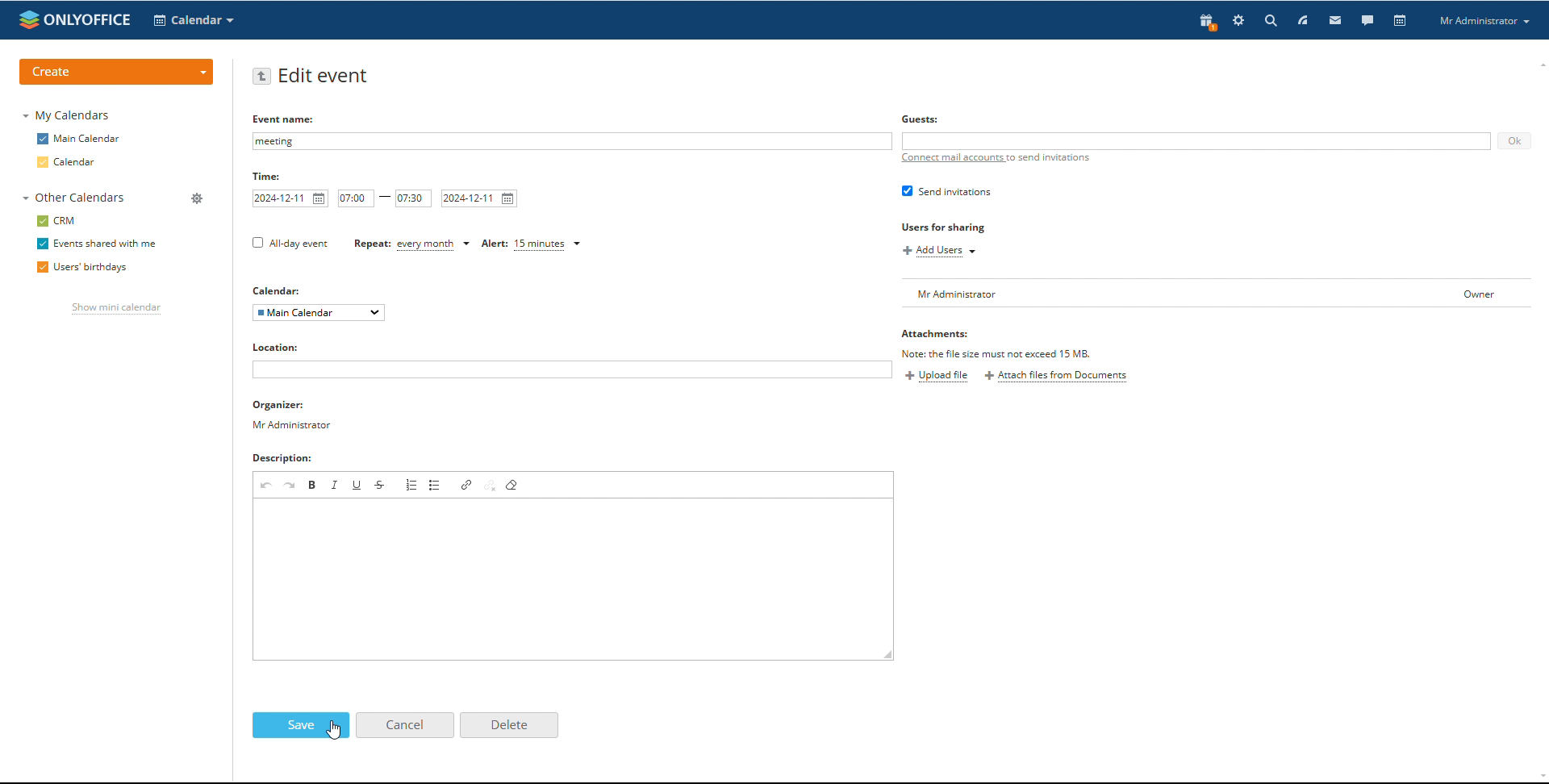 The width and height of the screenshot is (1549, 784). What do you see at coordinates (319, 312) in the screenshot?
I see `select calendar` at bounding box center [319, 312].